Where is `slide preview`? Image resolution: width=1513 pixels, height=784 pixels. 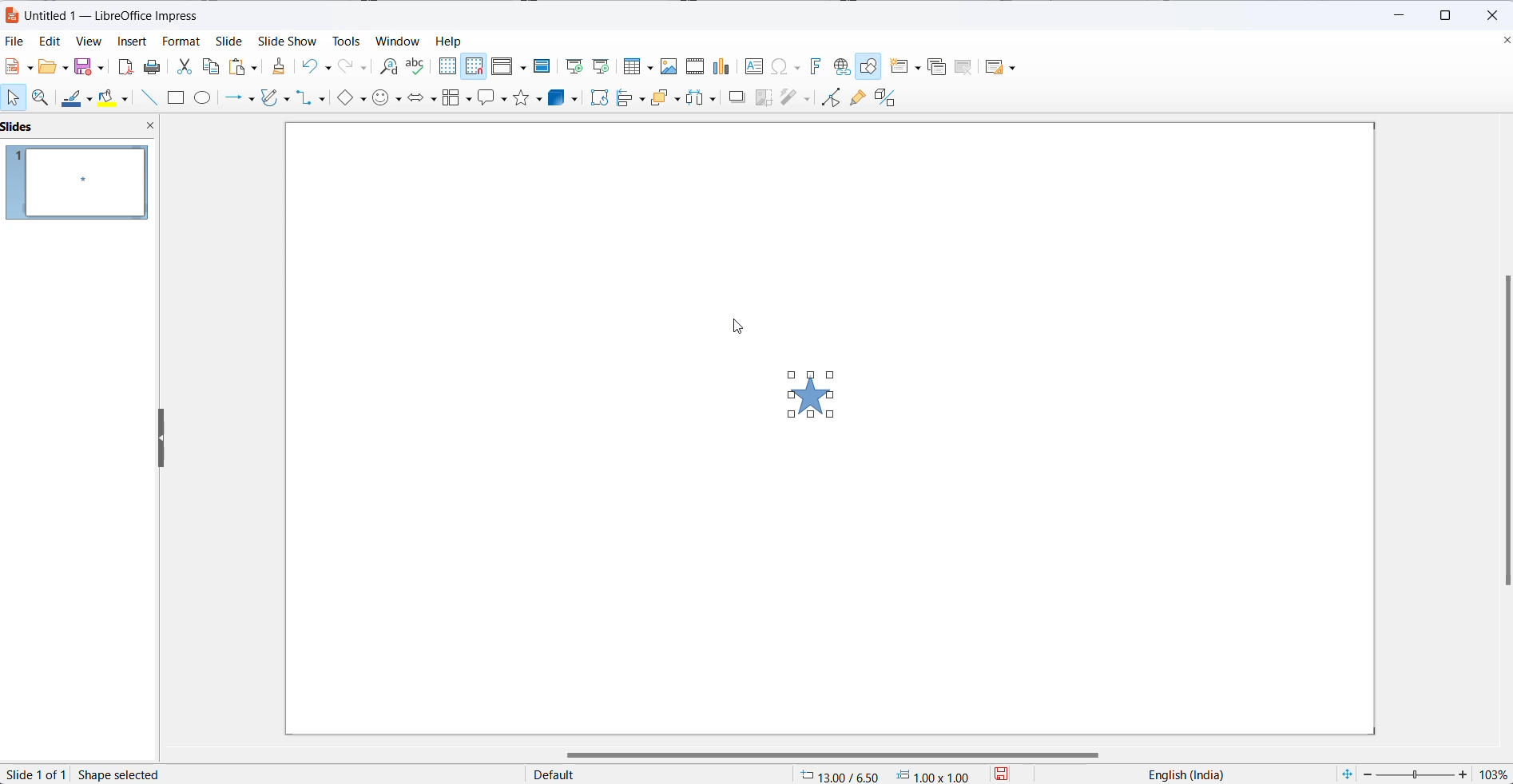
slide preview is located at coordinates (77, 184).